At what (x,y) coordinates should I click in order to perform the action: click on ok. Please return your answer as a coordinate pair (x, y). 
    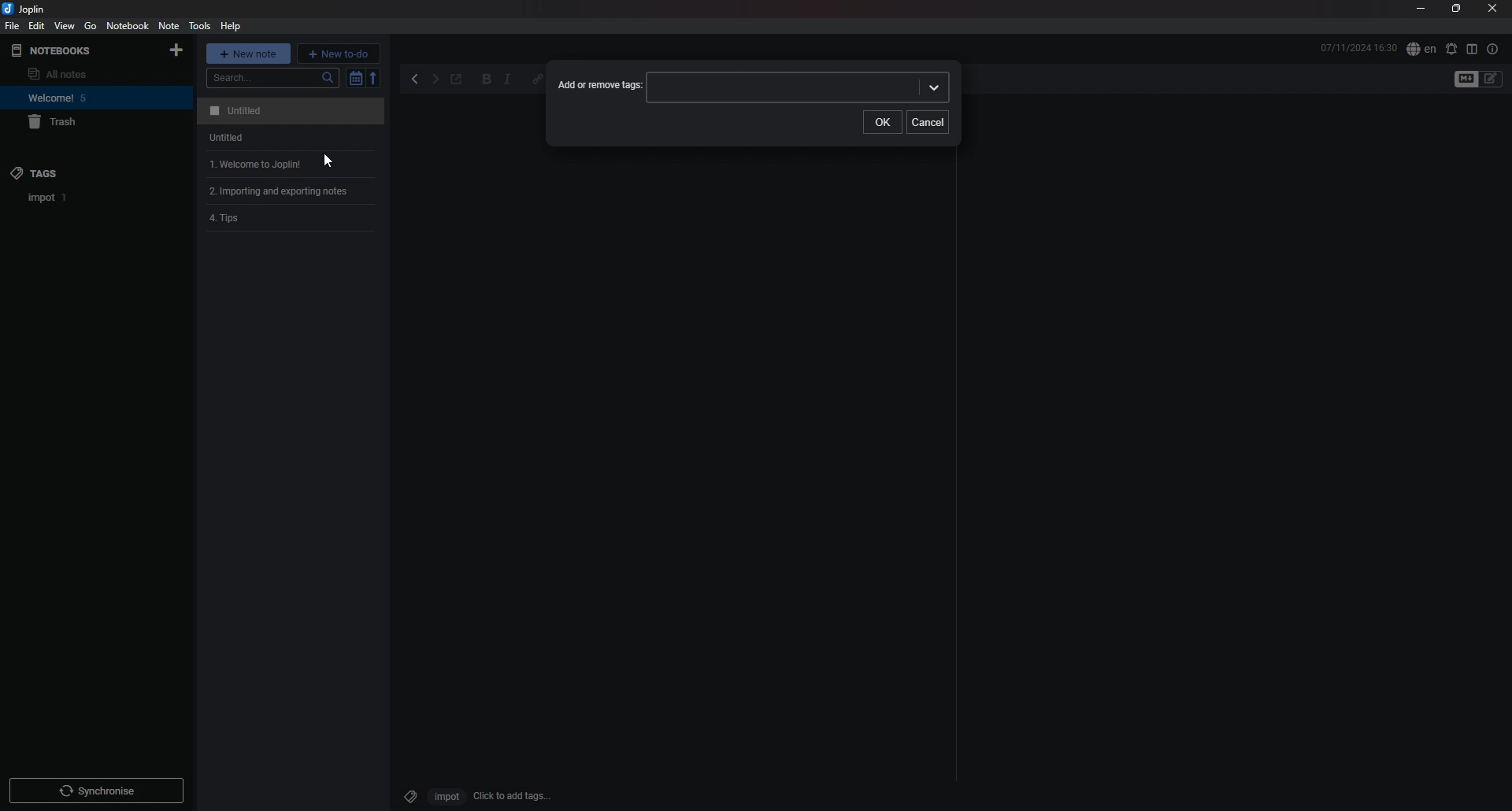
    Looking at the image, I should click on (885, 122).